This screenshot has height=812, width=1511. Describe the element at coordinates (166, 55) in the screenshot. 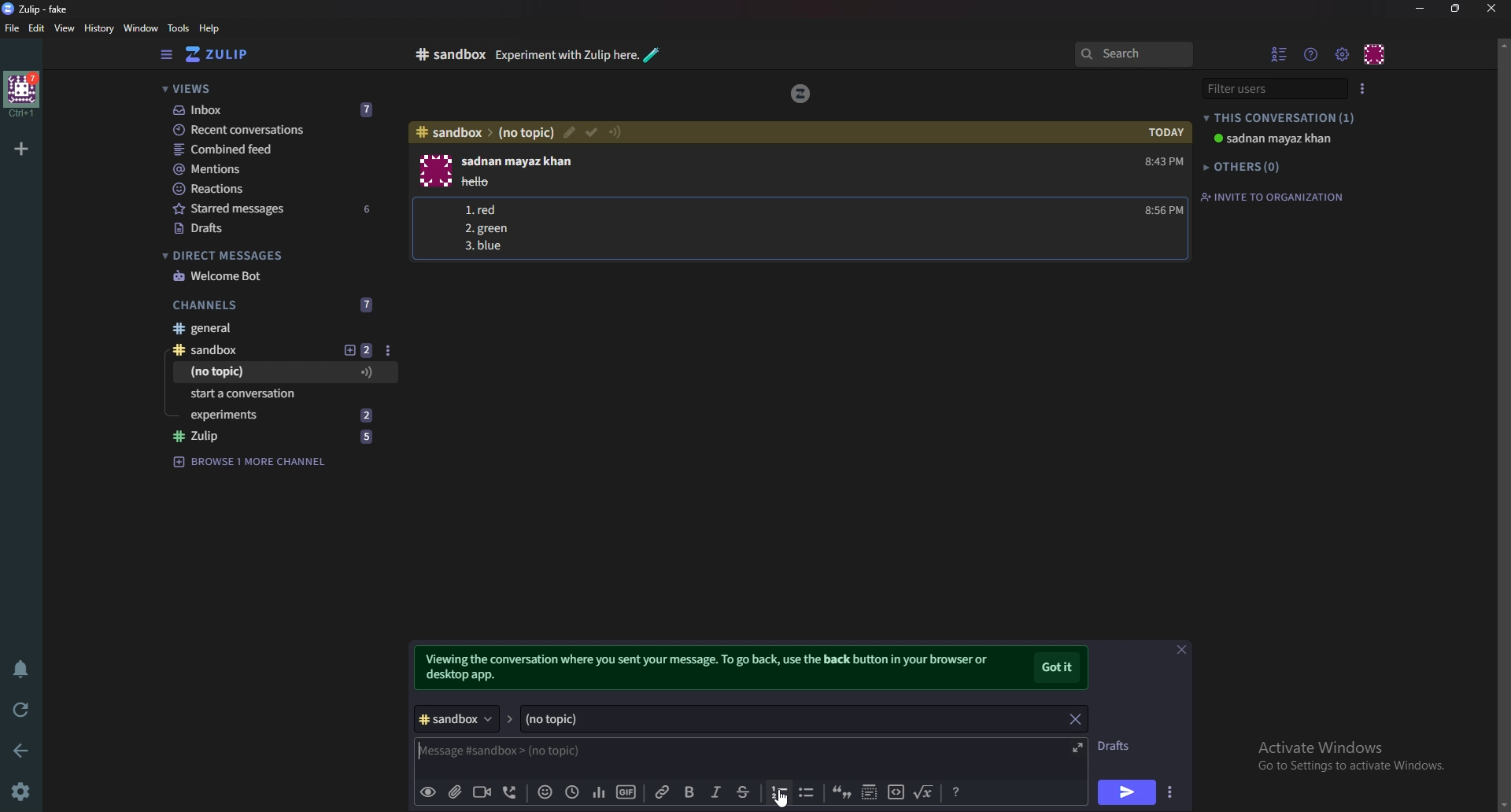

I see `Hide sidebar` at that location.